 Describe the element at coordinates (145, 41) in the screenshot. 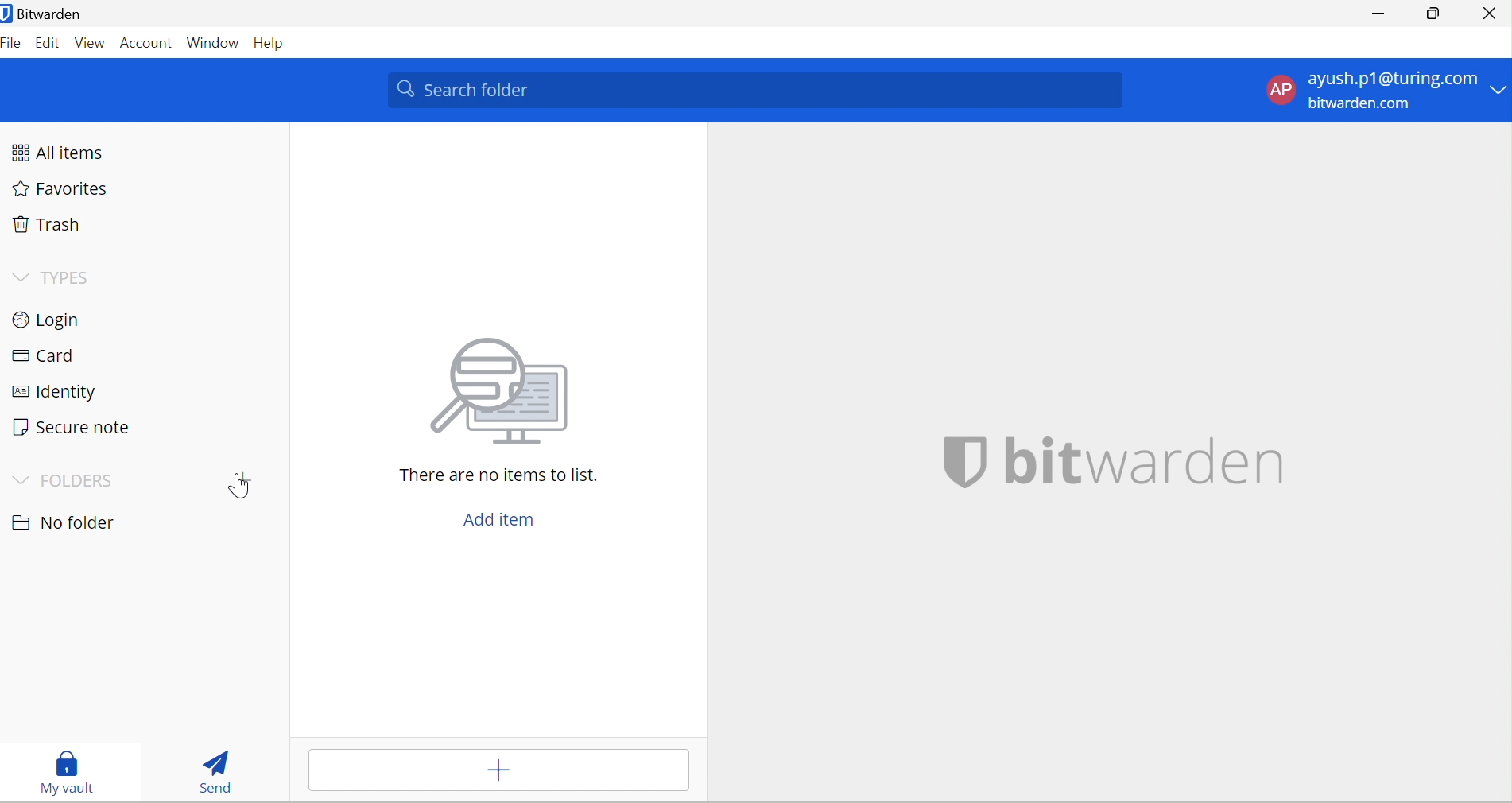

I see `Account` at that location.